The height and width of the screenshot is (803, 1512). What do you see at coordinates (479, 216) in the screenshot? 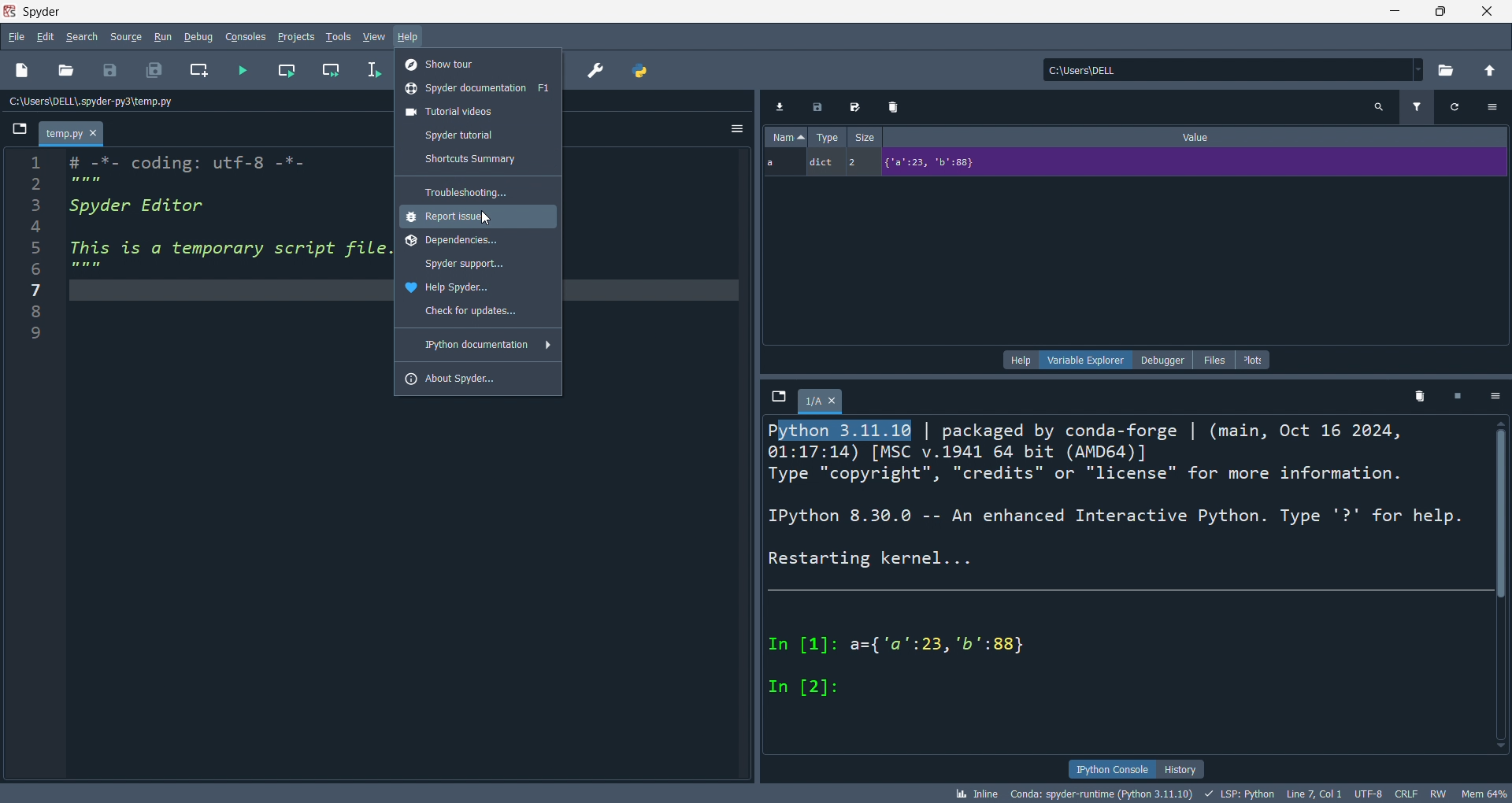
I see `report issue` at bounding box center [479, 216].